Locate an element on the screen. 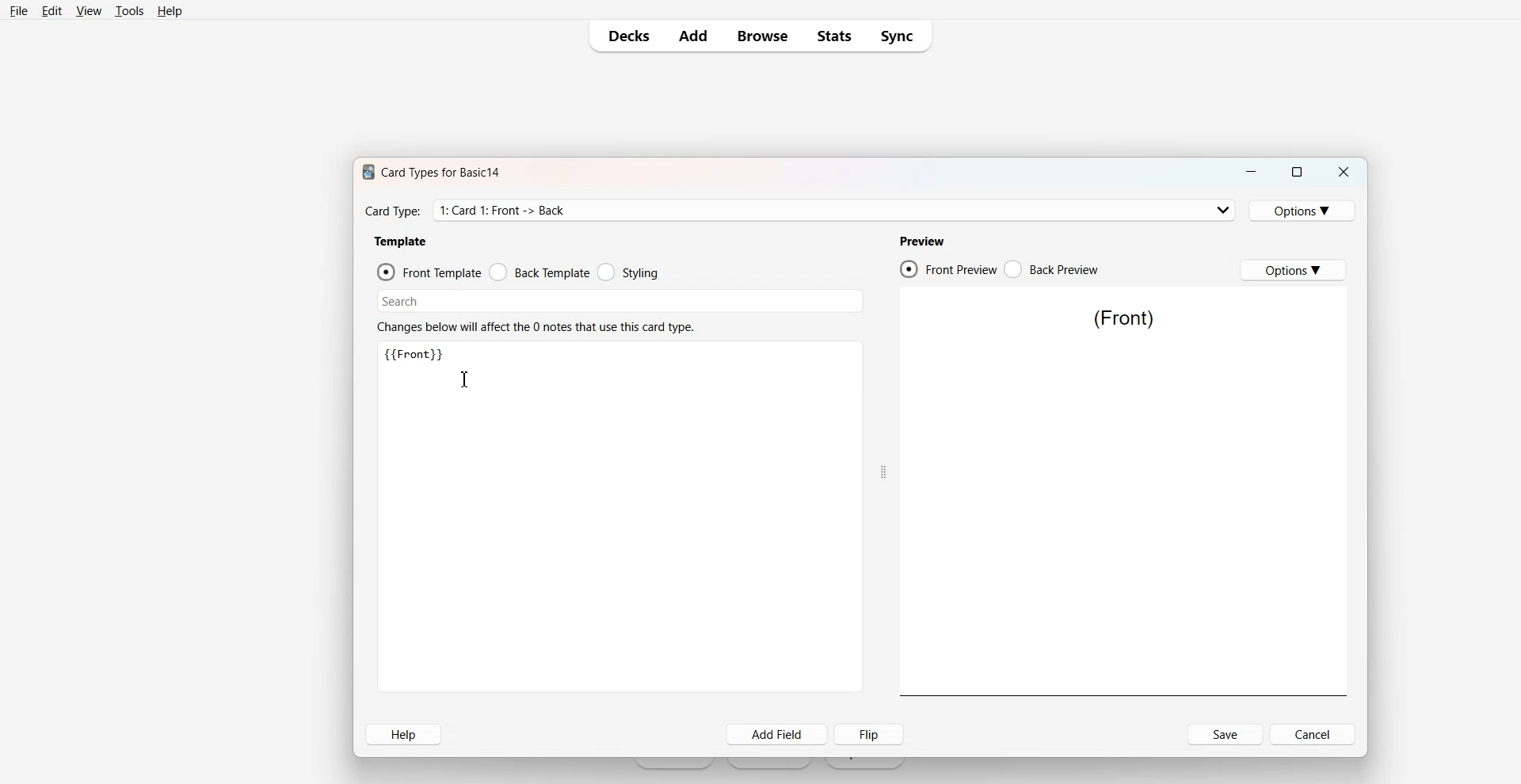 The height and width of the screenshot is (784, 1521). Text is located at coordinates (393, 211).